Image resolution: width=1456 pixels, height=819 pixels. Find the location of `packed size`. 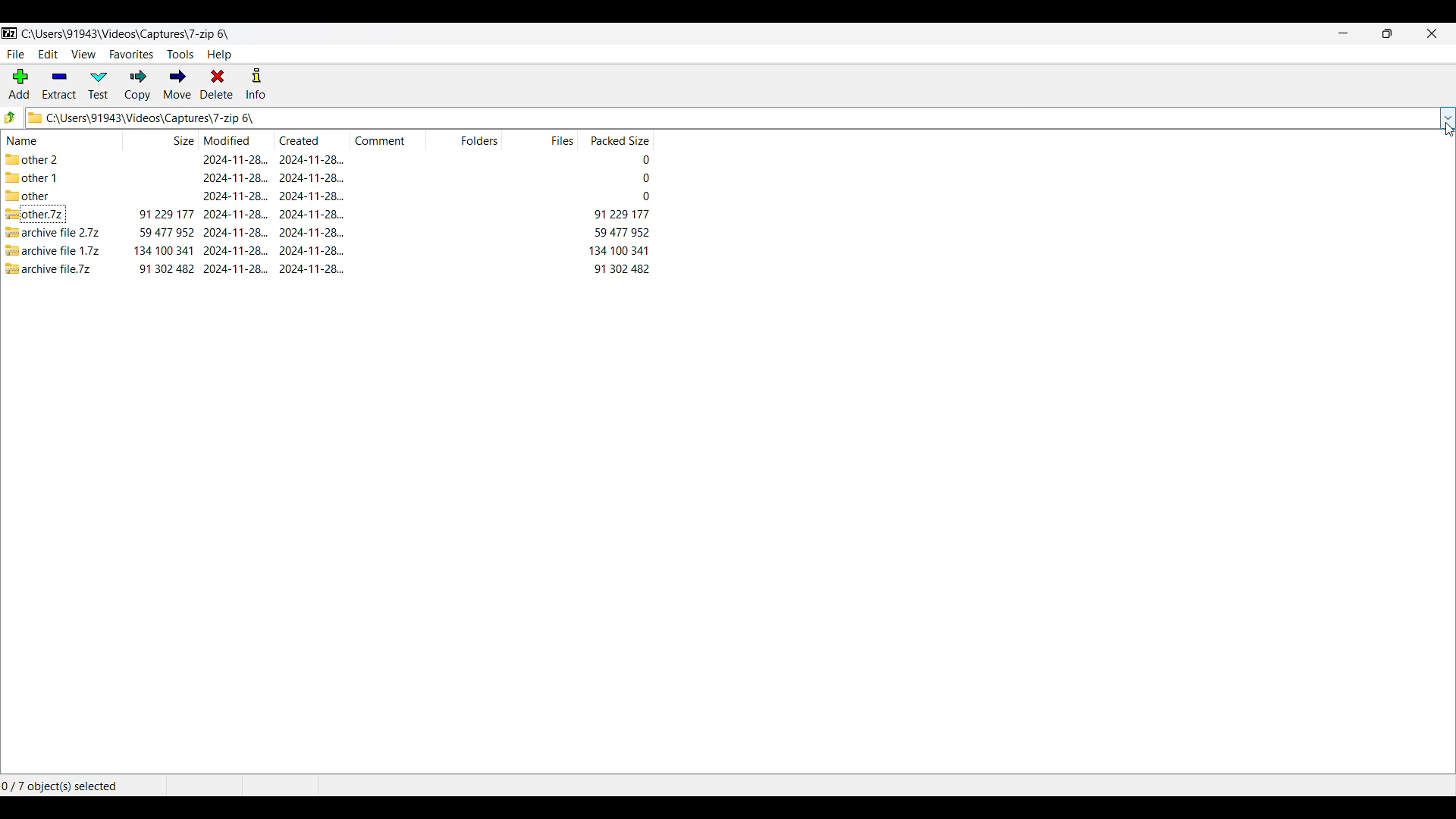

packed size is located at coordinates (620, 249).